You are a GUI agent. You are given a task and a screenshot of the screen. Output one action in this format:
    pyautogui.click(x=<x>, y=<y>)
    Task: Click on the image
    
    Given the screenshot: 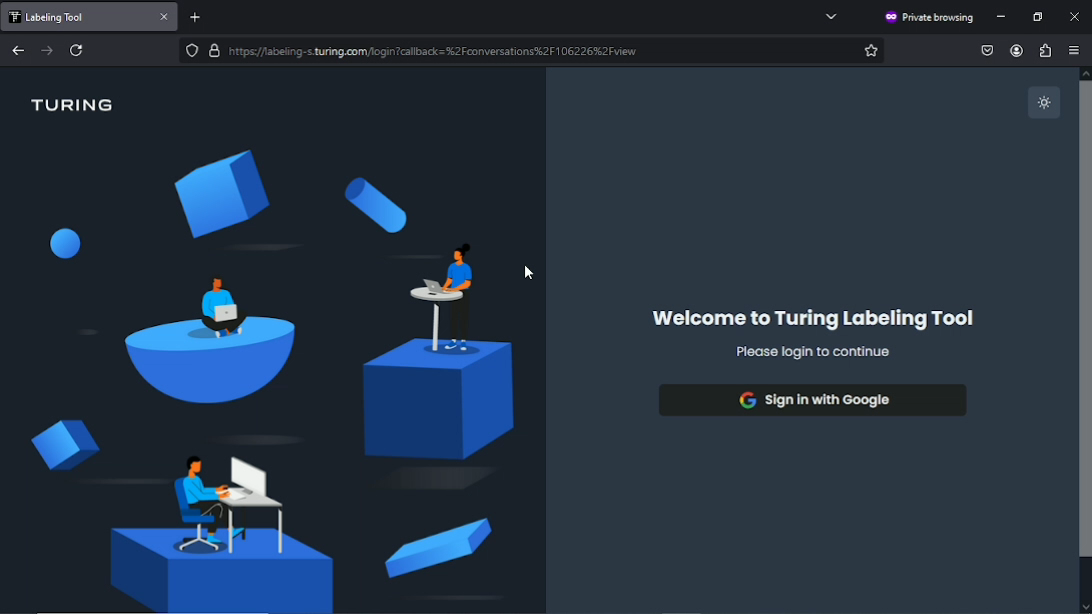 What is the action you would take?
    pyautogui.click(x=272, y=378)
    